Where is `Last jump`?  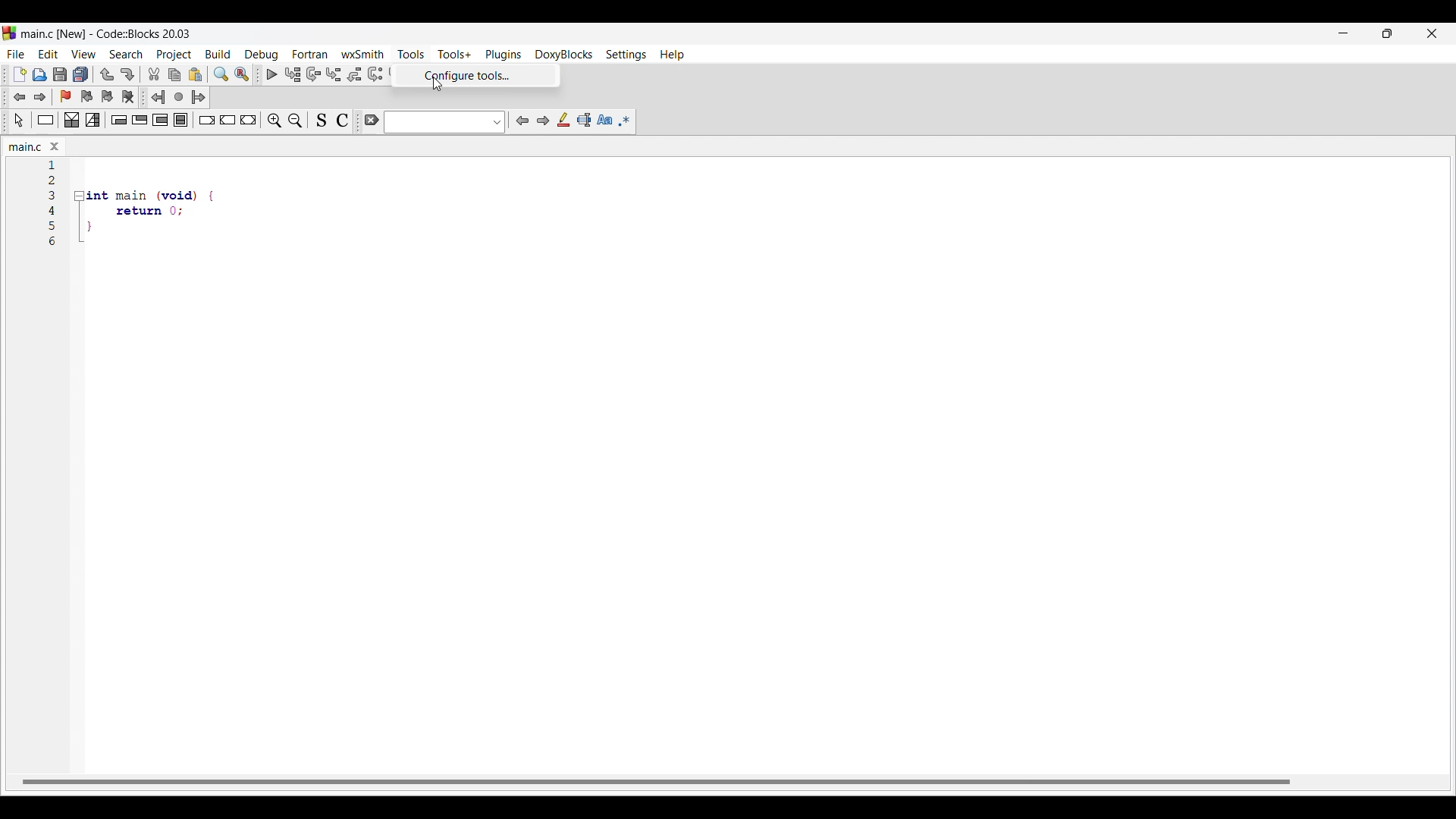
Last jump is located at coordinates (179, 97).